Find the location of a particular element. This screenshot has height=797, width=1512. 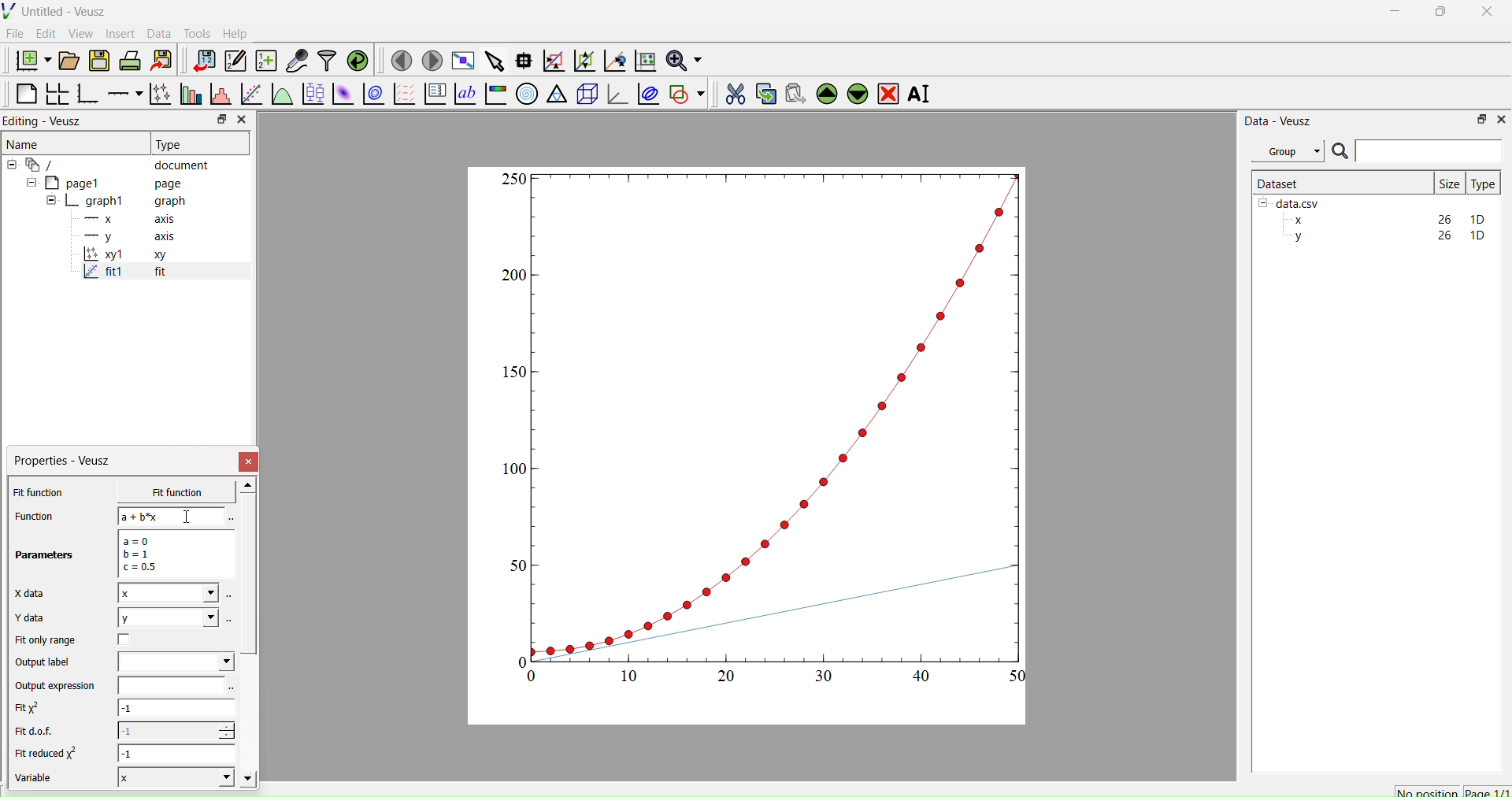

Select items is located at coordinates (493, 61).